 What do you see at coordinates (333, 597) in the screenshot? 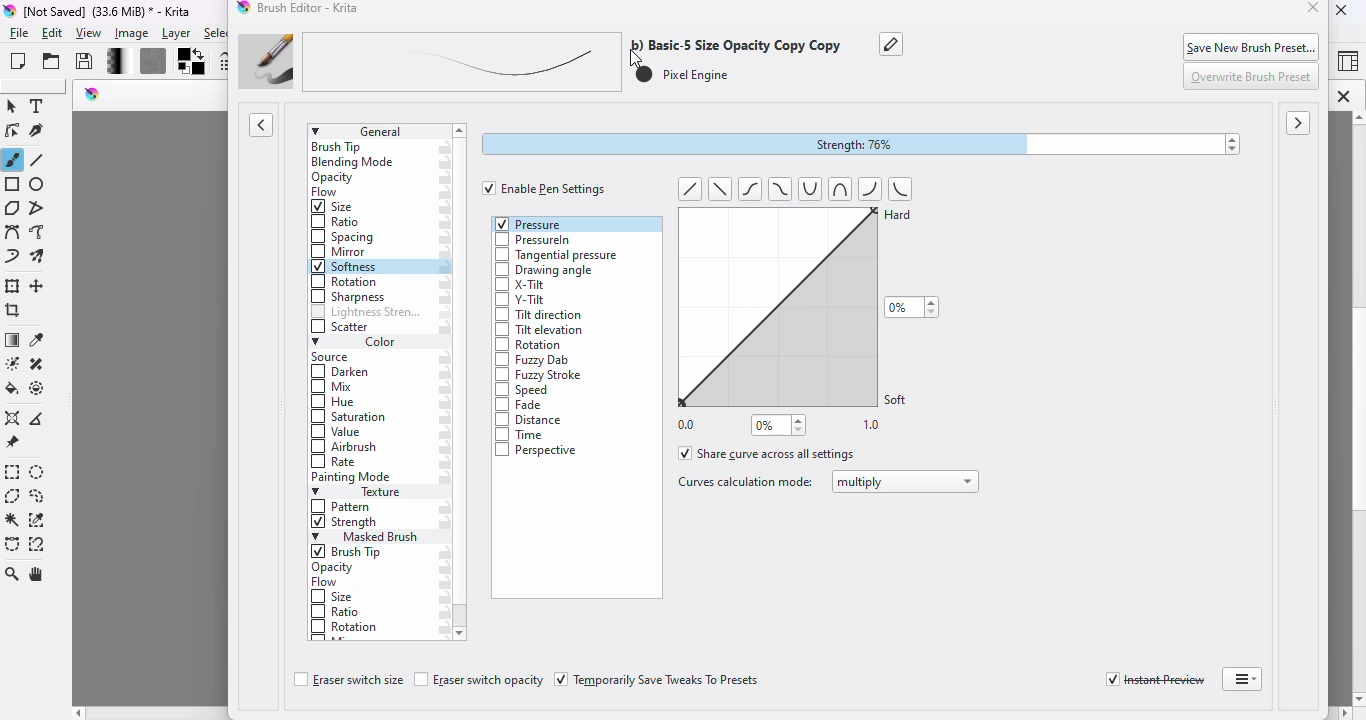
I see `size` at bounding box center [333, 597].